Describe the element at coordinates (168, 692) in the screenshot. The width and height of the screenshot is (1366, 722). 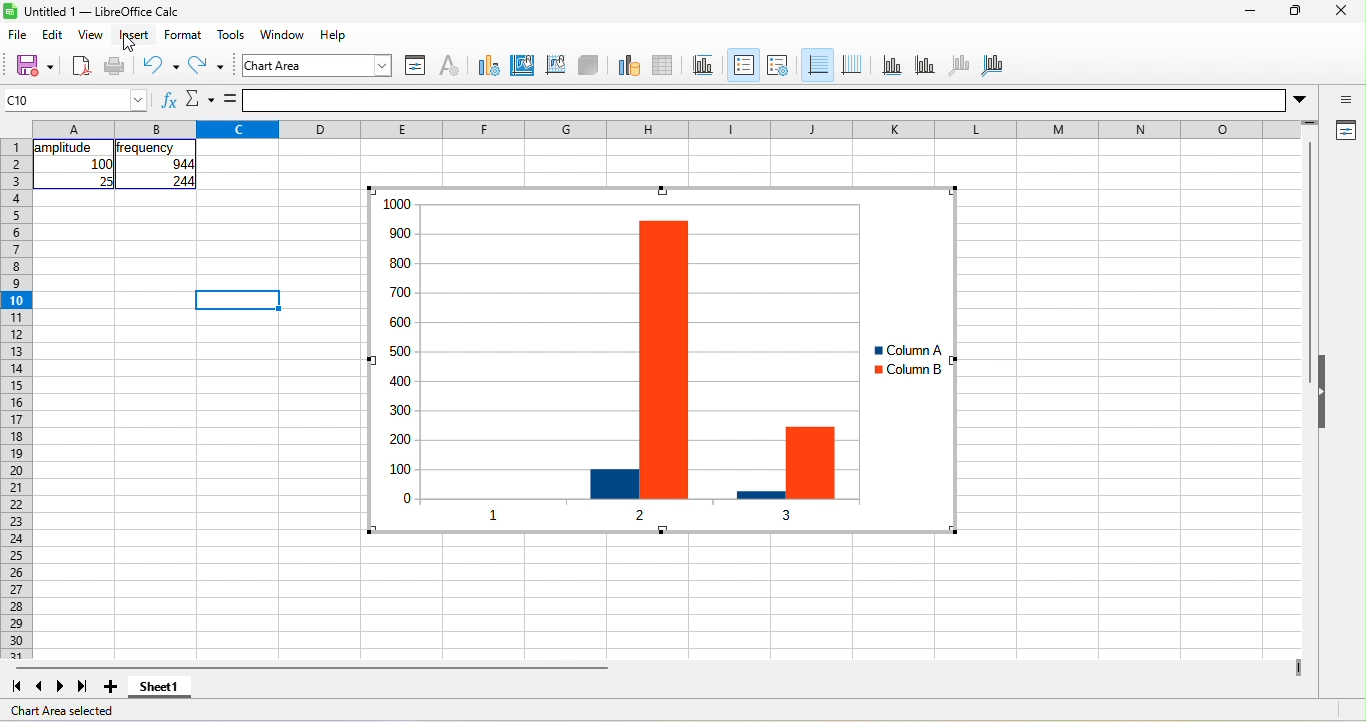
I see `sheet1` at that location.